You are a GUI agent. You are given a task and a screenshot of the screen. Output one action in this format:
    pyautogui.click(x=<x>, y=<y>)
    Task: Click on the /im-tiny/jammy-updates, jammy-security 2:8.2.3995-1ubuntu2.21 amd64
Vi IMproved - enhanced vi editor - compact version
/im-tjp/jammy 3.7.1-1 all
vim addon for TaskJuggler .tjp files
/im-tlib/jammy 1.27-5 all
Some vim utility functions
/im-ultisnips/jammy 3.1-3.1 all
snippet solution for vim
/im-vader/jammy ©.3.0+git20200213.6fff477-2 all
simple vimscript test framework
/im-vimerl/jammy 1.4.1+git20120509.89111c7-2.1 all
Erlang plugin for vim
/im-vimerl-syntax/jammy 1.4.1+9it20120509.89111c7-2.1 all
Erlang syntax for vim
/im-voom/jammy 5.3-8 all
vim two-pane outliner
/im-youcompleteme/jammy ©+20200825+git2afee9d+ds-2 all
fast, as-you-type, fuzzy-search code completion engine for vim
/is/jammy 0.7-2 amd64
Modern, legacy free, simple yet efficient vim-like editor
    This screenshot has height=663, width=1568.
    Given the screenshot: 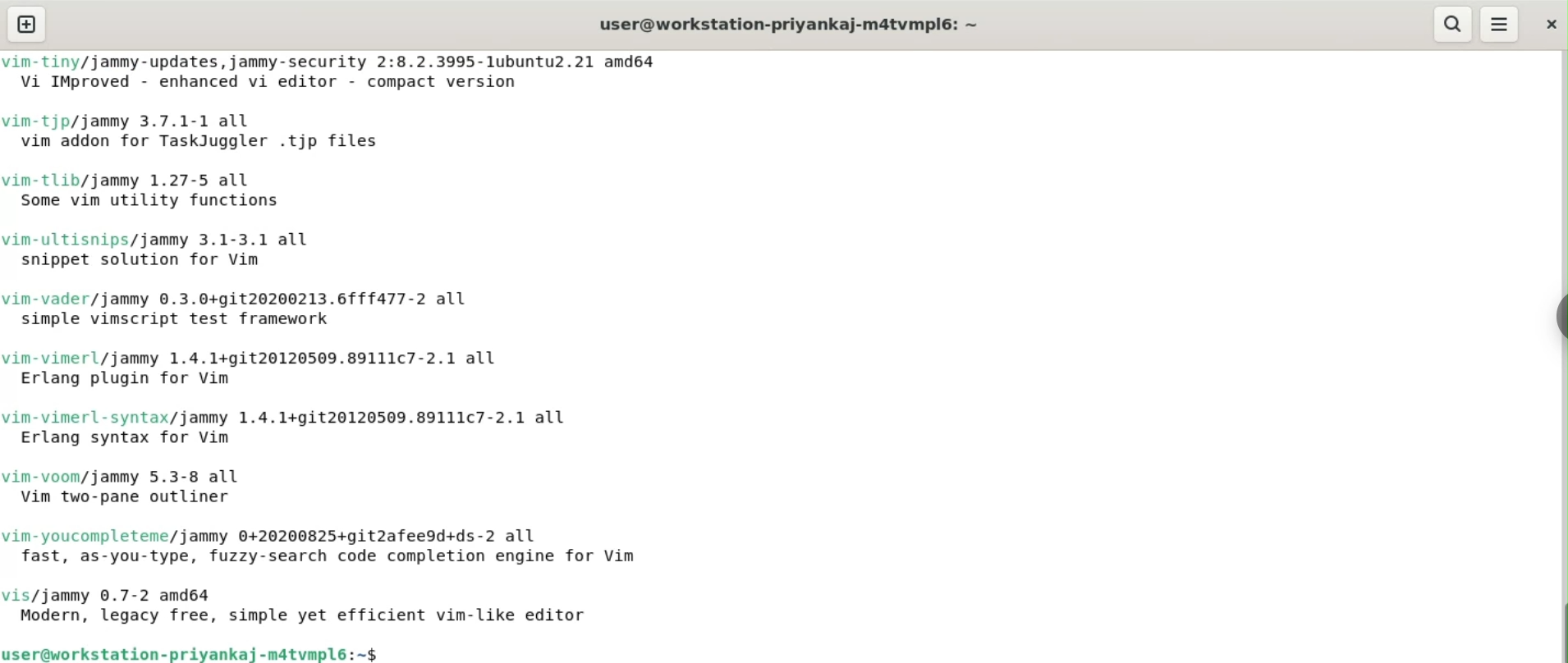 What is the action you would take?
    pyautogui.click(x=355, y=343)
    